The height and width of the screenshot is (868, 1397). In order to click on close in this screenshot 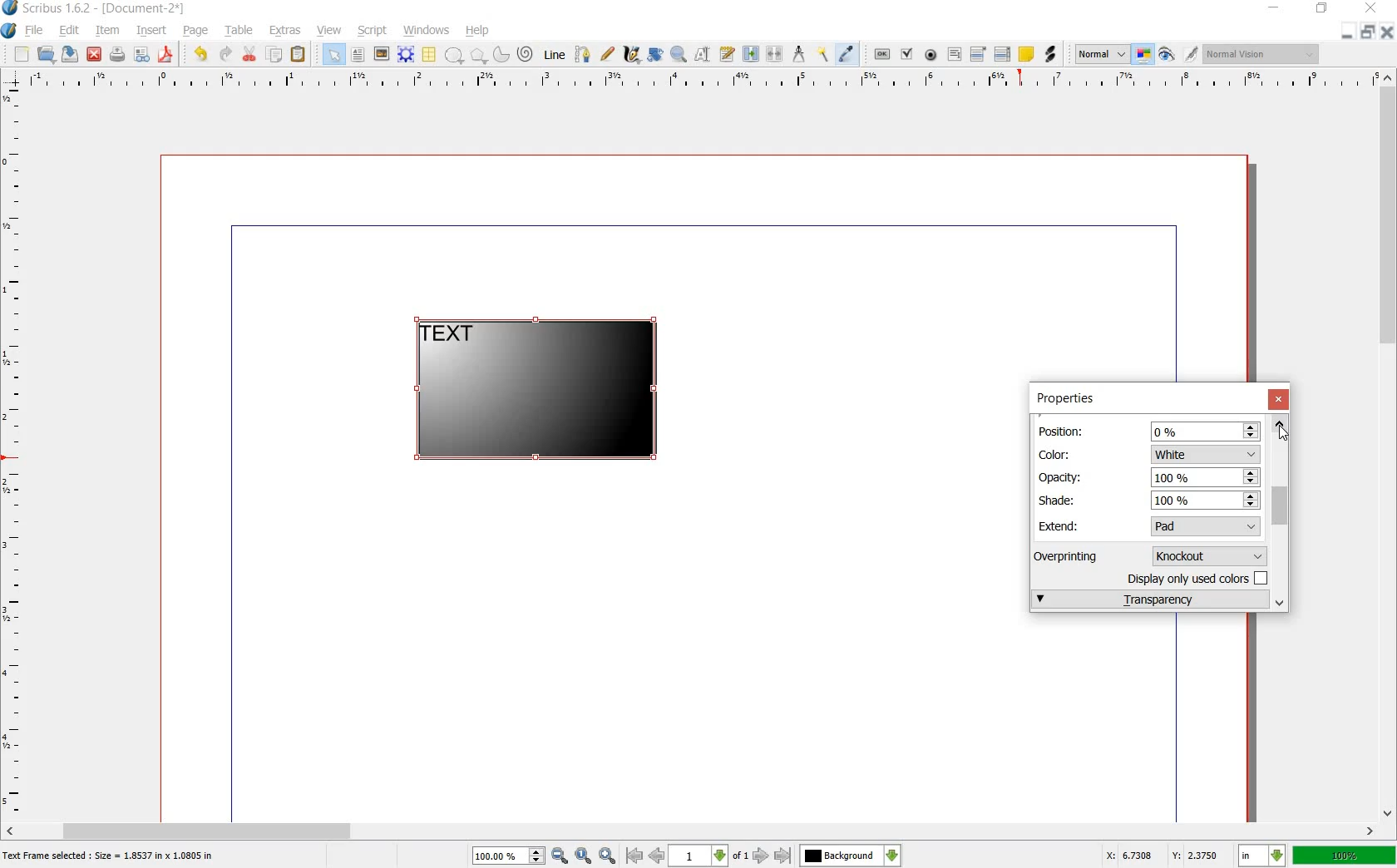, I will do `click(1374, 7)`.